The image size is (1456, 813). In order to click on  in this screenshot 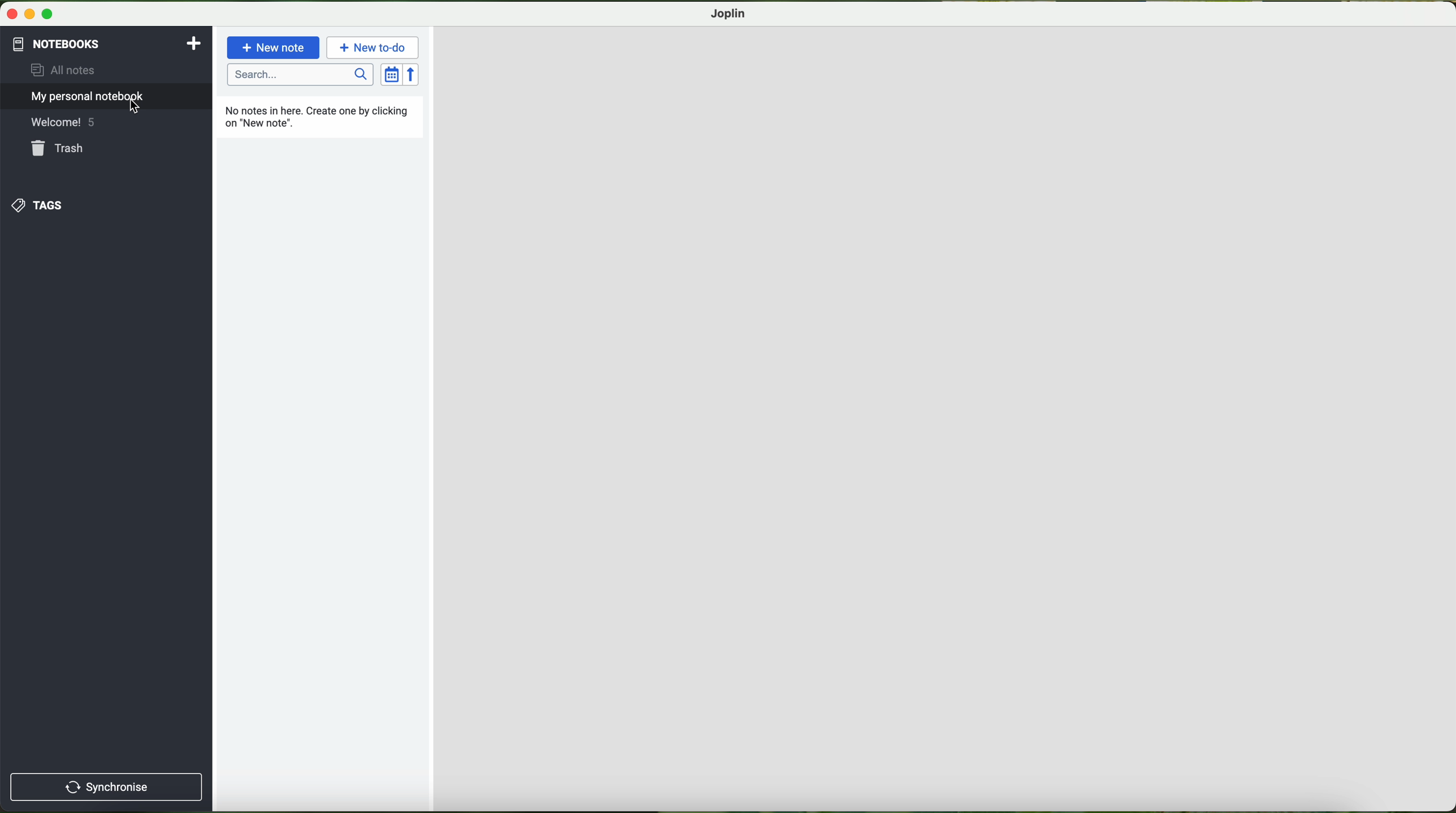, I will do `click(415, 76)`.